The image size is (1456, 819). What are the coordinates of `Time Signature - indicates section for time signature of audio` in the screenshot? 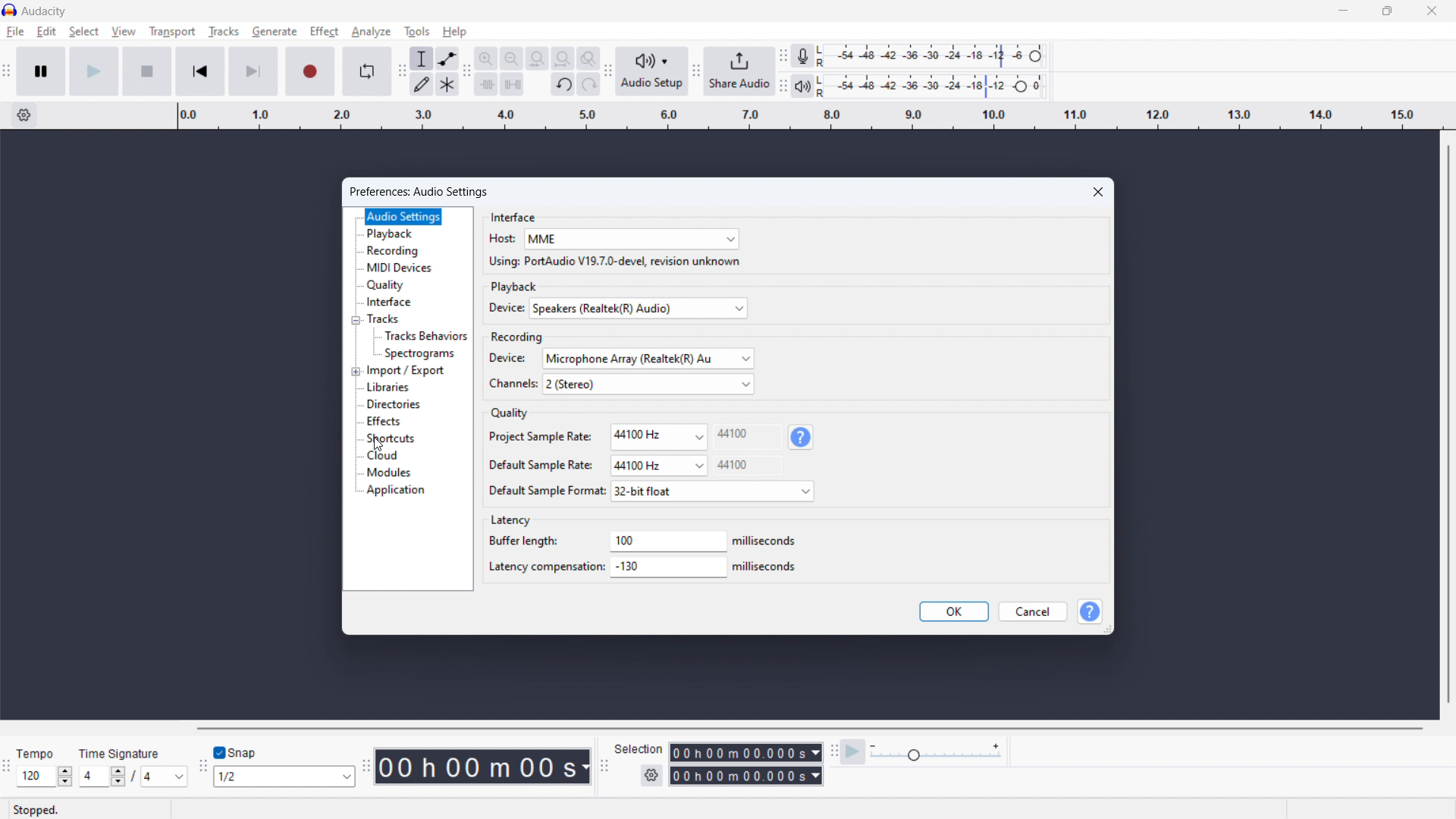 It's located at (119, 753).